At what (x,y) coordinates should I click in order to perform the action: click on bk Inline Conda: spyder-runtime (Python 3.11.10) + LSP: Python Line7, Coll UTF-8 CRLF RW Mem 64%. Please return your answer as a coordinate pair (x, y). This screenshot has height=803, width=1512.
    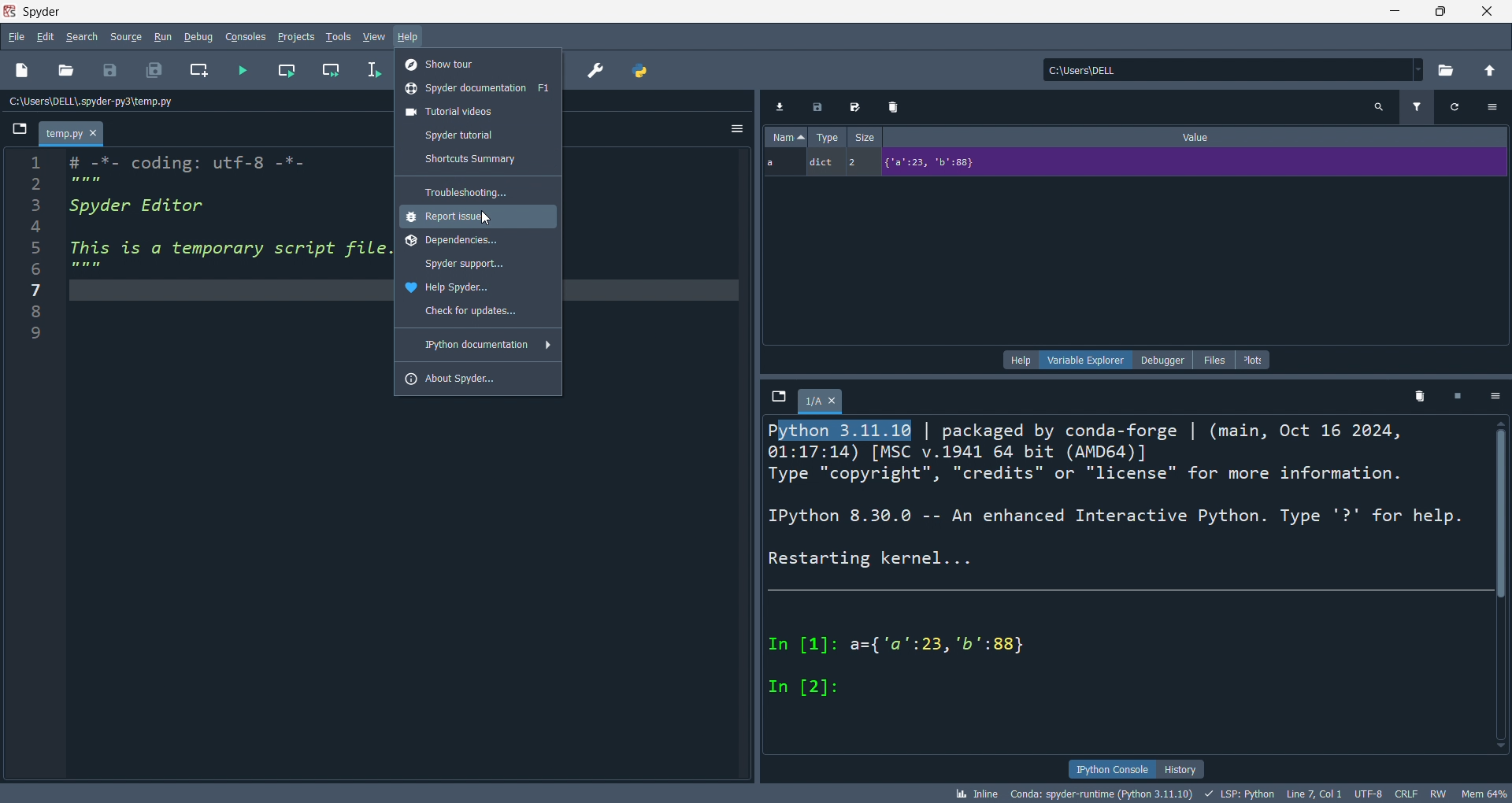
    Looking at the image, I should click on (1225, 793).